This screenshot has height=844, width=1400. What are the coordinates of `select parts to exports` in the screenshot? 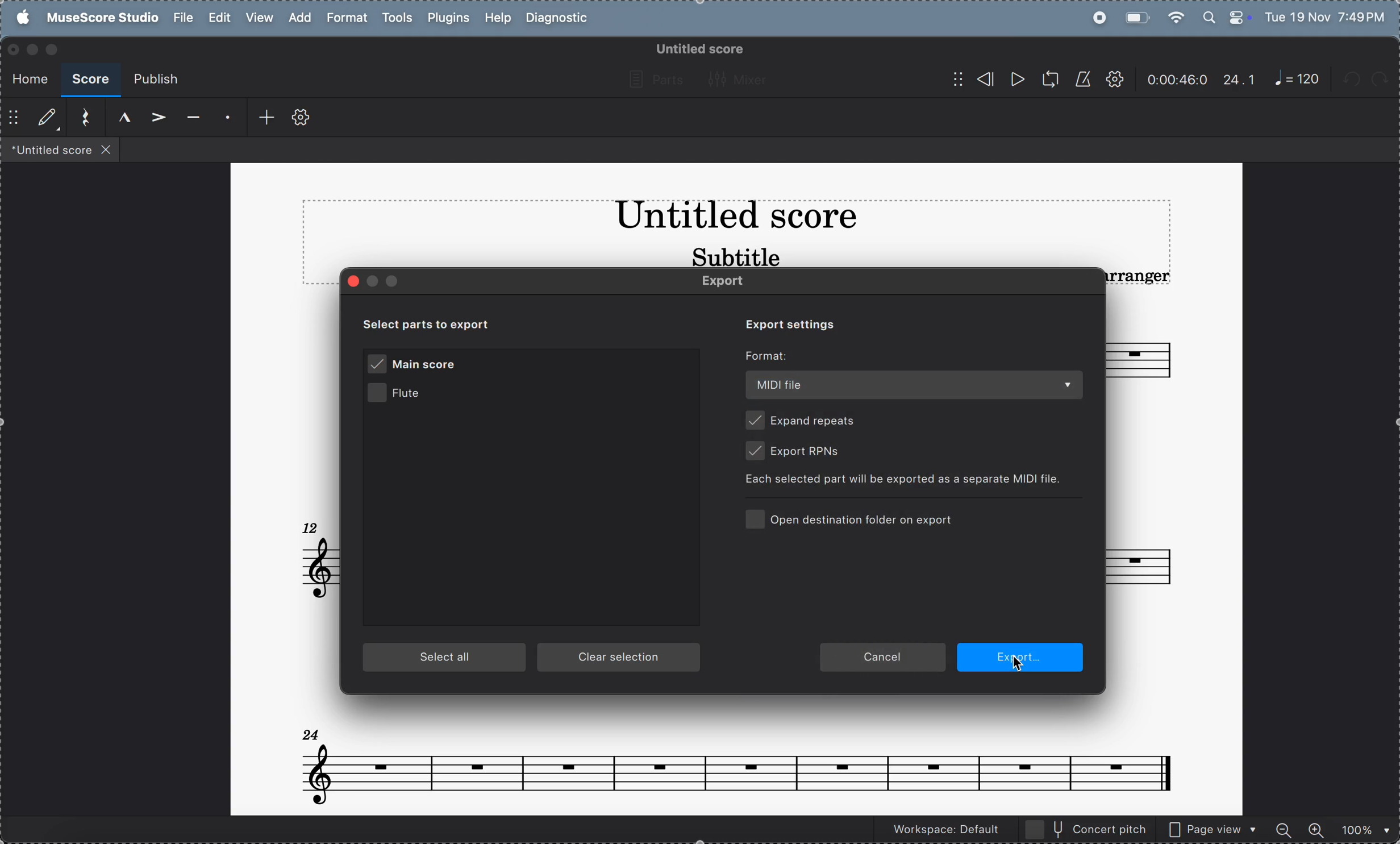 It's located at (440, 323).